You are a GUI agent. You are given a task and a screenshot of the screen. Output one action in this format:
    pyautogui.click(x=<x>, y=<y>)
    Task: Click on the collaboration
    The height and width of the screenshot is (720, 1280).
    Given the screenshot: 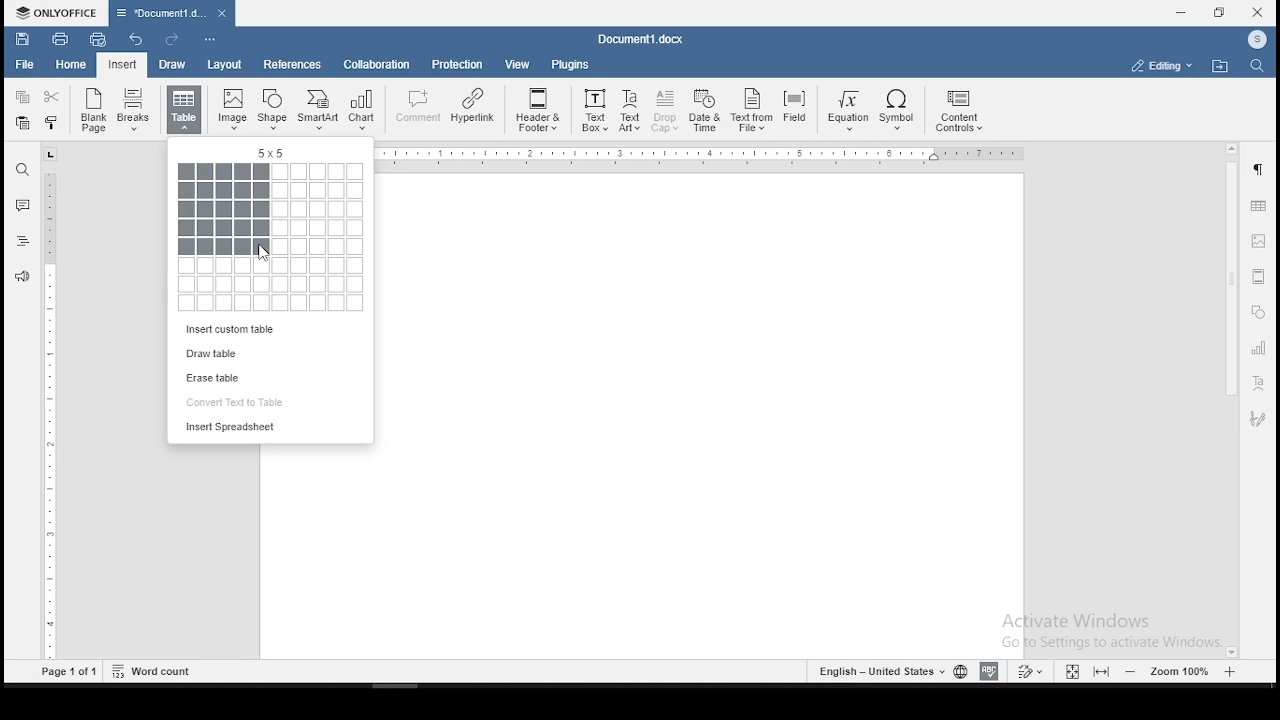 What is the action you would take?
    pyautogui.click(x=379, y=67)
    